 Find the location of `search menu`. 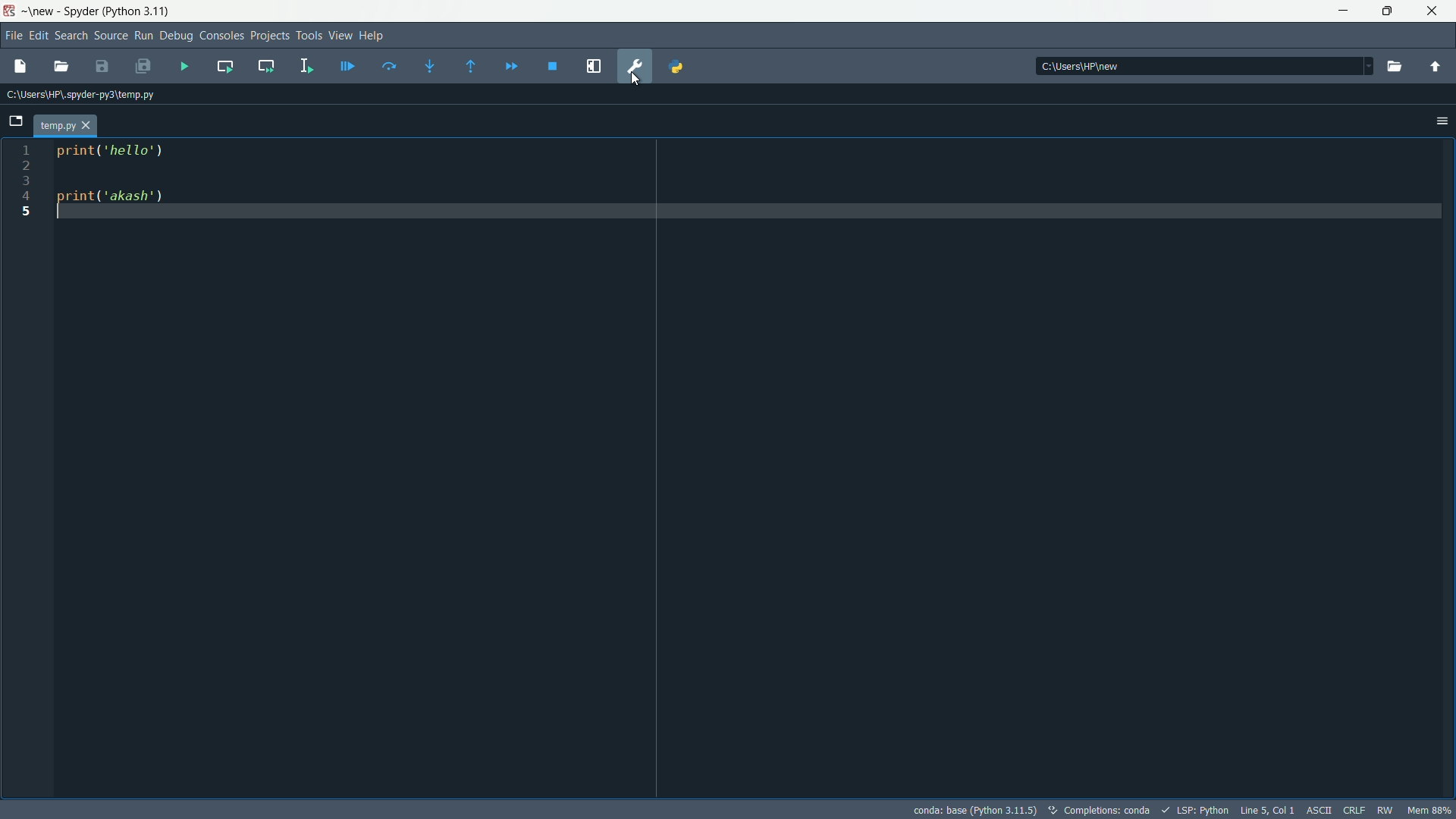

search menu is located at coordinates (72, 34).